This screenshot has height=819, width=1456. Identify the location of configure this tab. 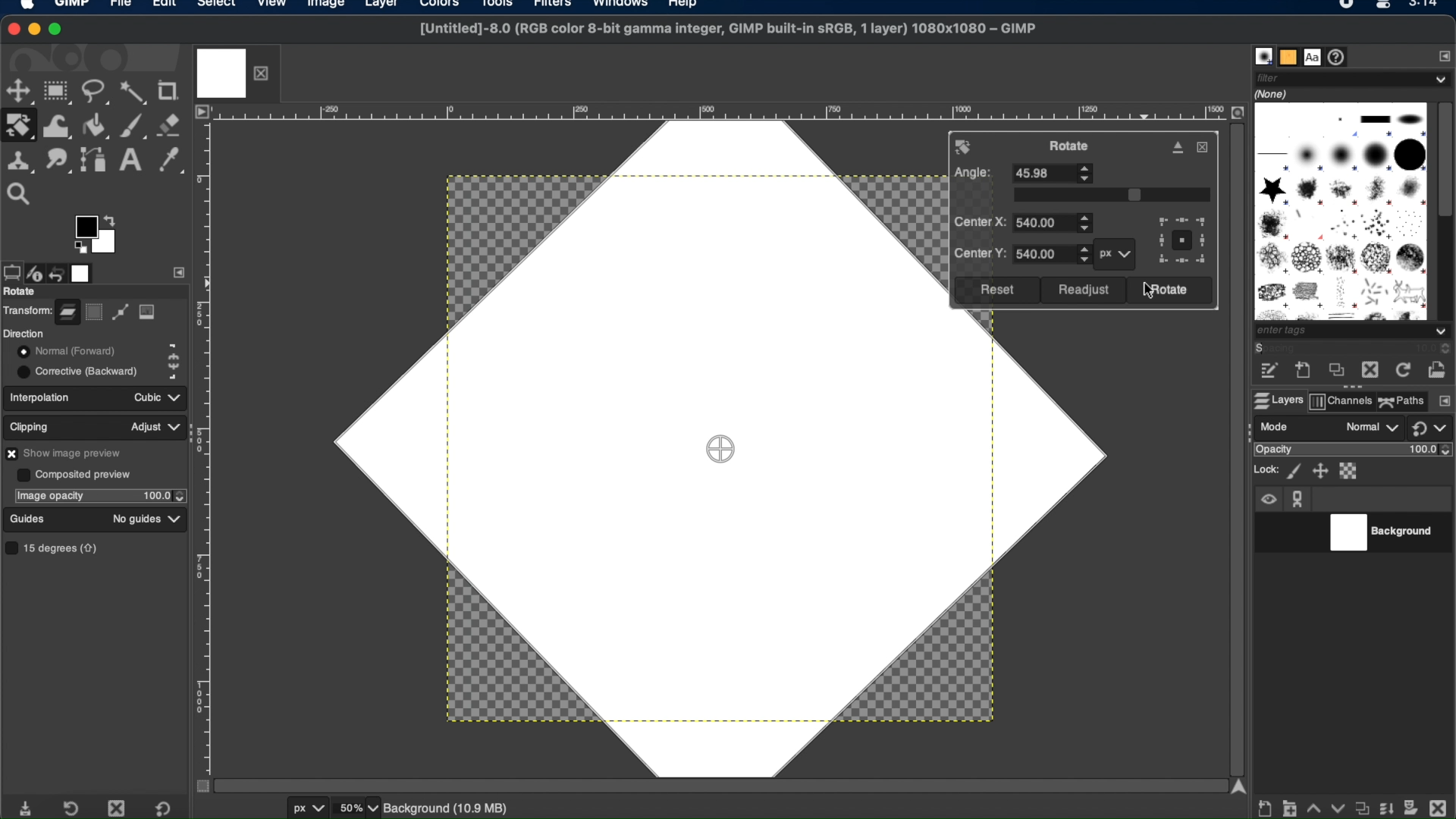
(1444, 402).